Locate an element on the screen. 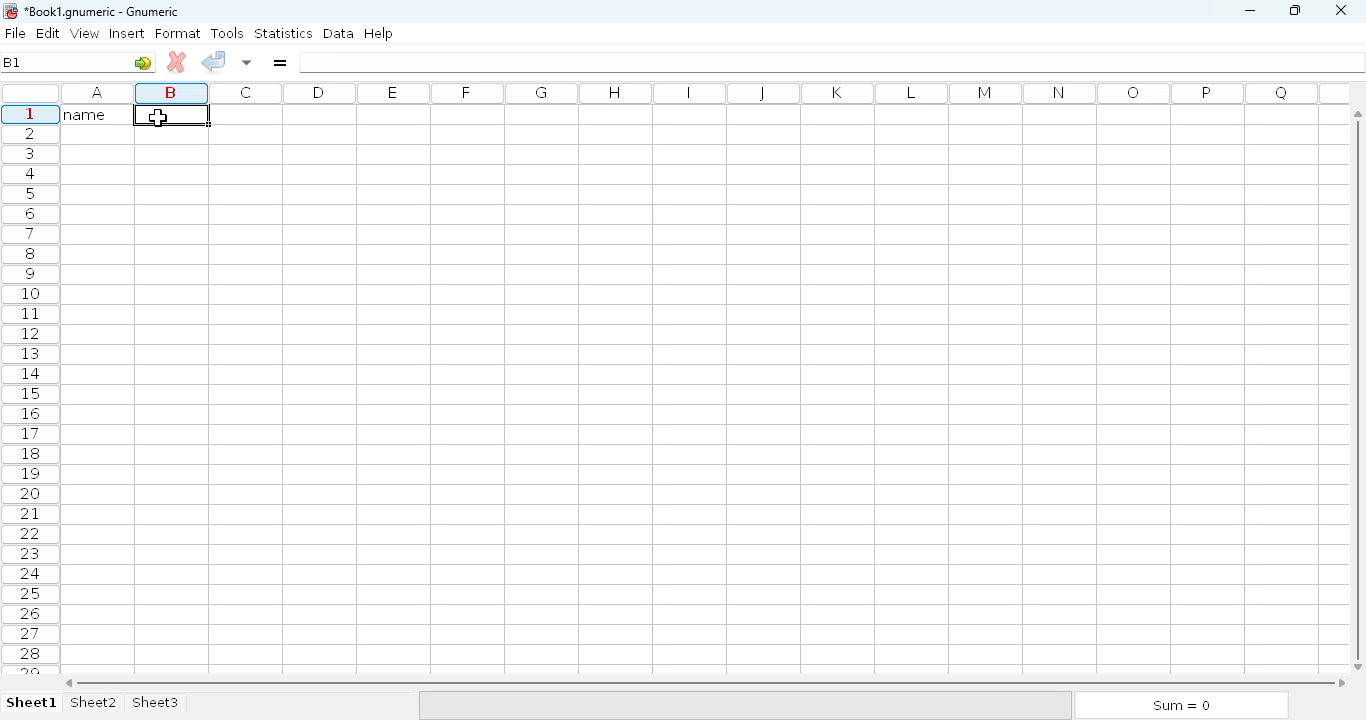  formula bar is located at coordinates (833, 62).